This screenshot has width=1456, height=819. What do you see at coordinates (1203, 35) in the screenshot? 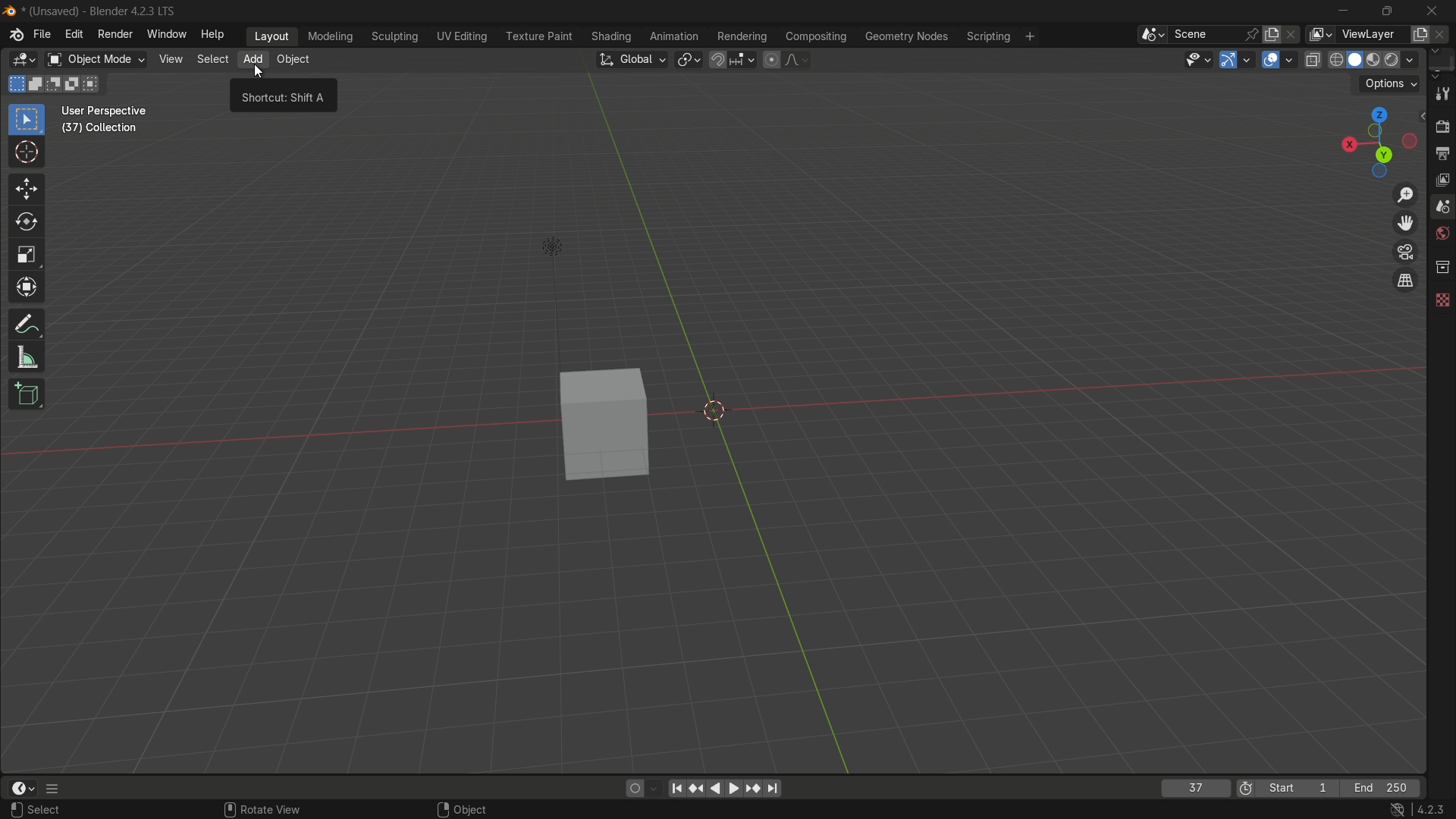
I see `scene name` at bounding box center [1203, 35].